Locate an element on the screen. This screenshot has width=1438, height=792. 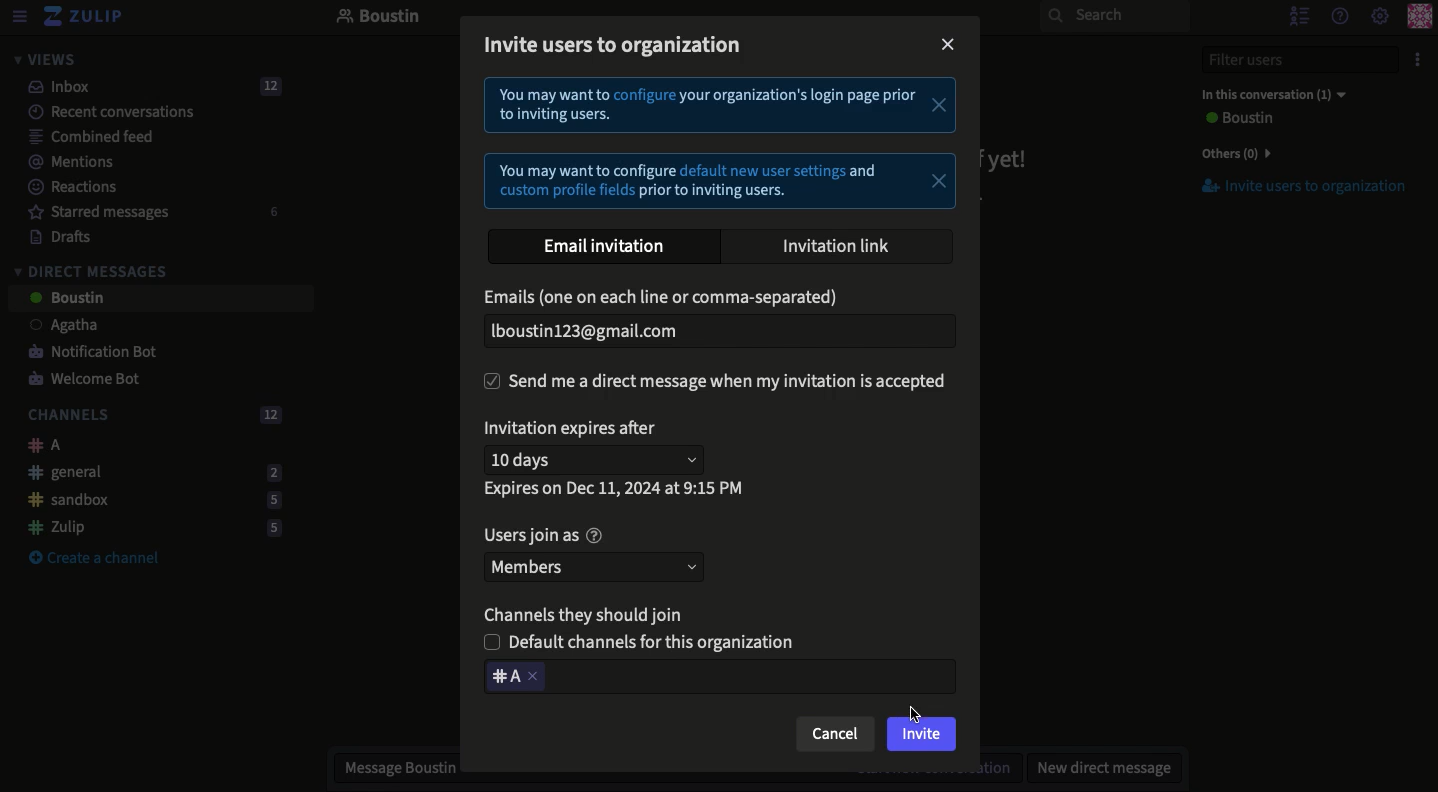
Drafts is located at coordinates (51, 236).